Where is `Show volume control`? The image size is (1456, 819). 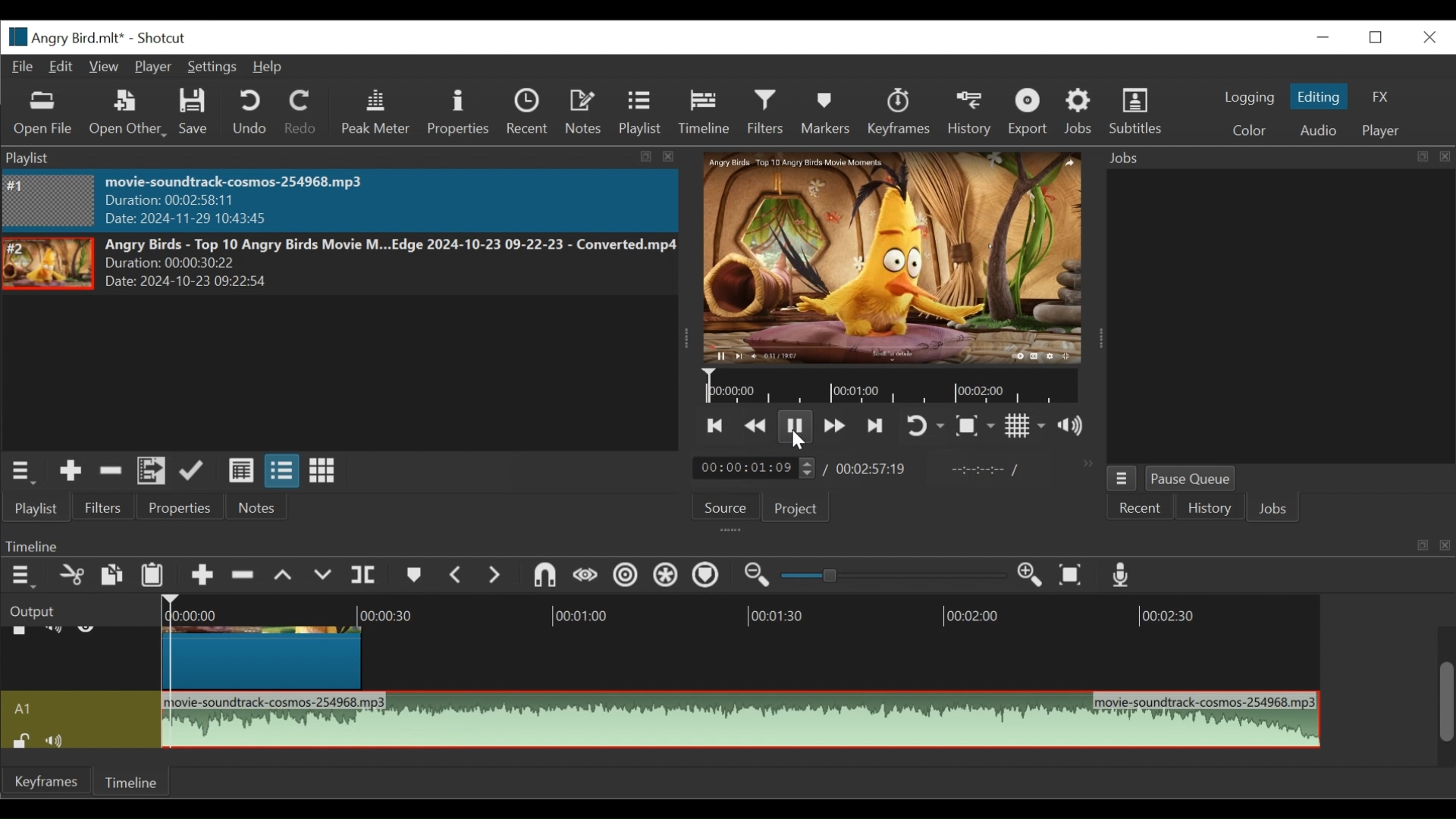 Show volume control is located at coordinates (1075, 428).